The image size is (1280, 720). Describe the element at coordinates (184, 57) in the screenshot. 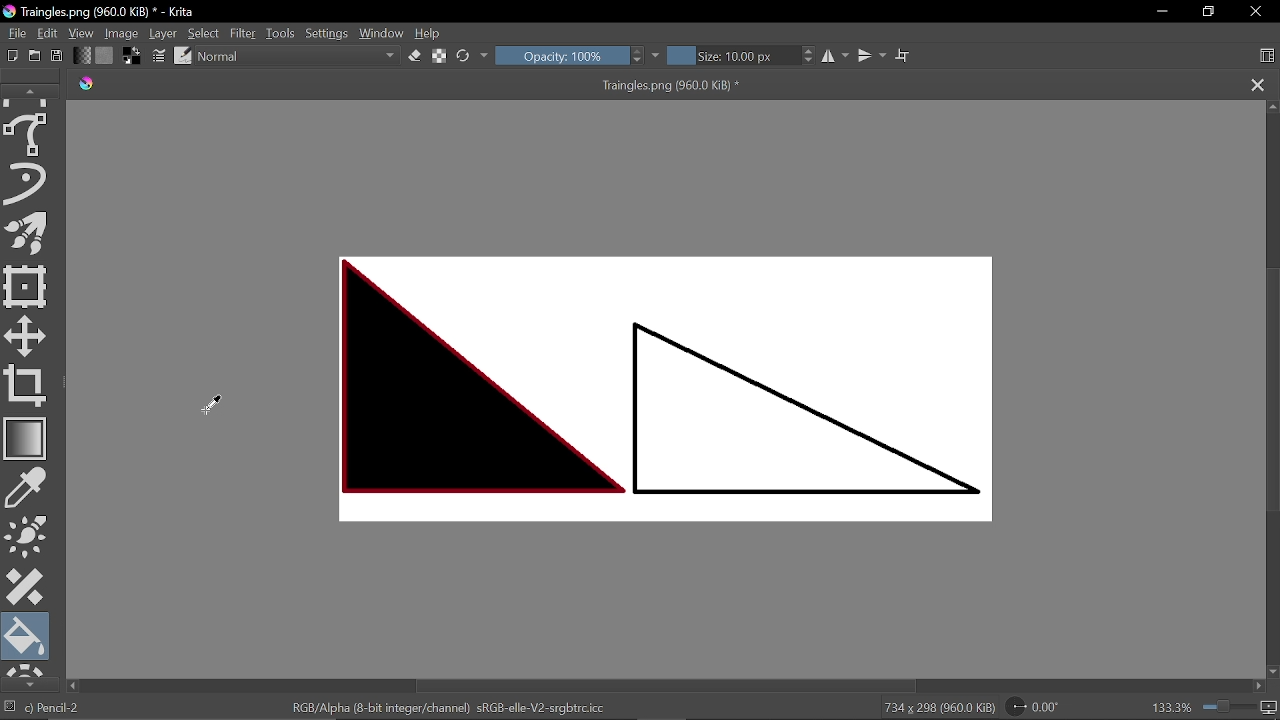

I see `Choose brush preset` at that location.